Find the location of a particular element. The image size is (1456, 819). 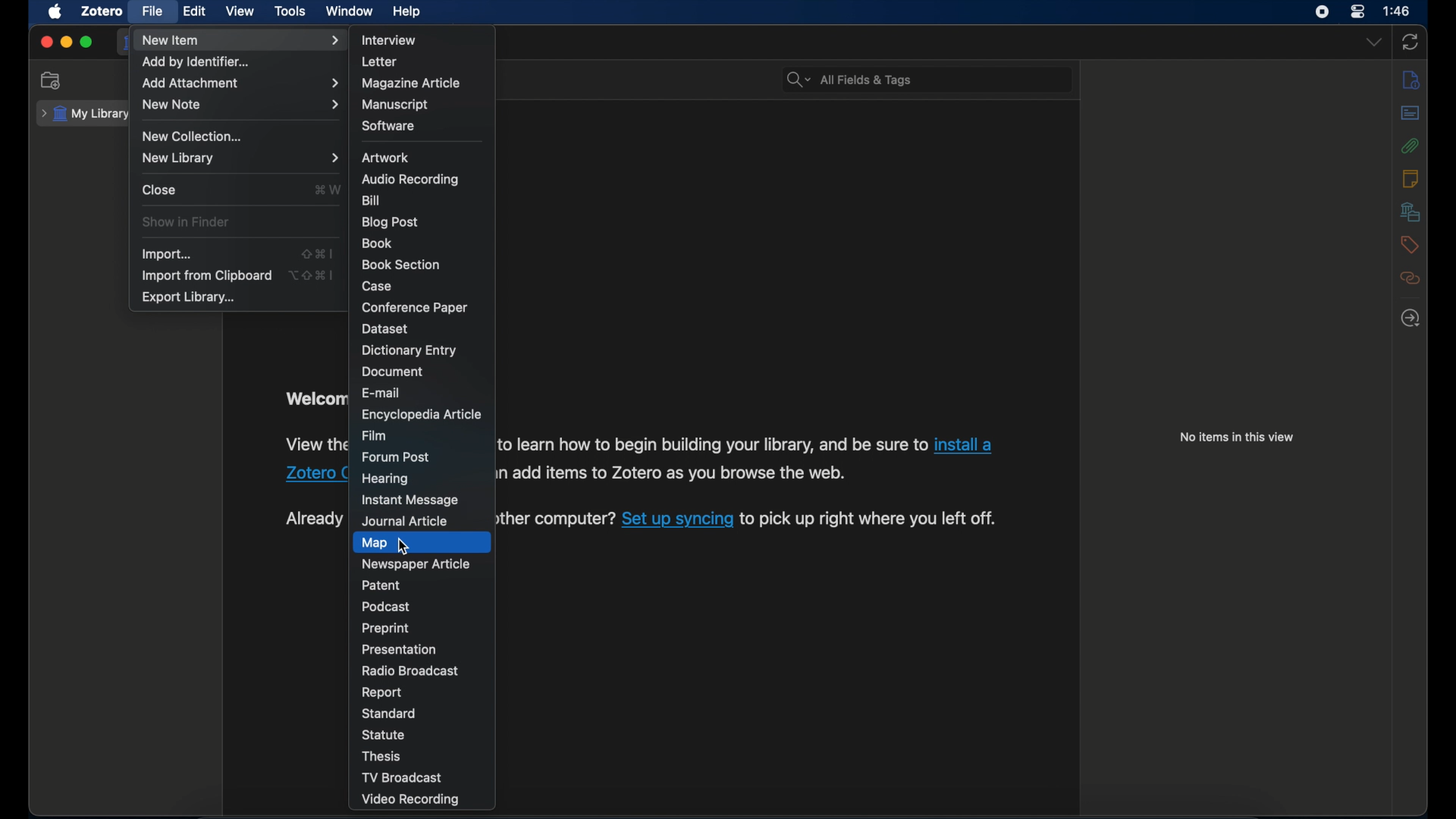

View the is located at coordinates (312, 444).